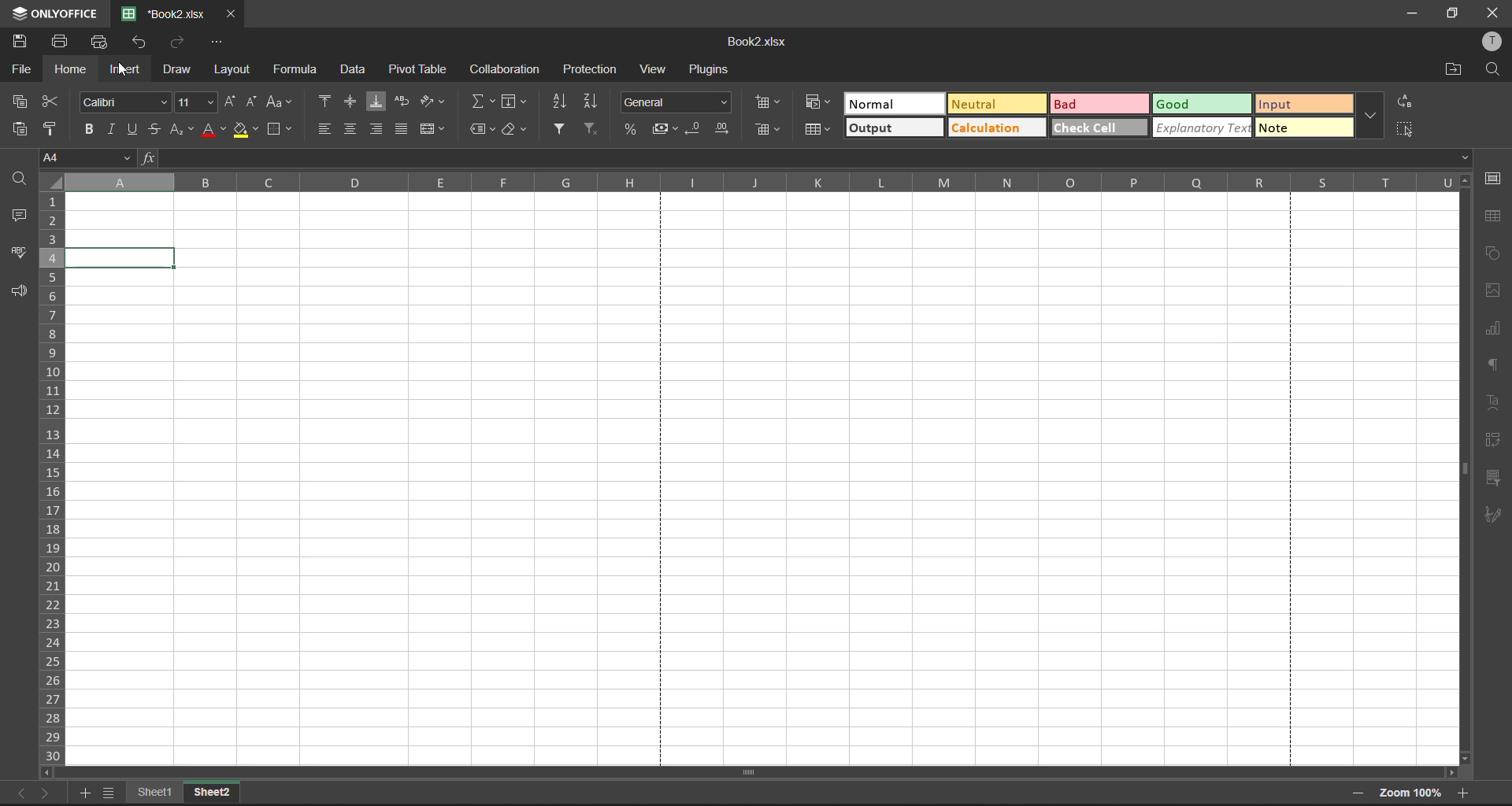 This screenshot has height=806, width=1512. Describe the element at coordinates (109, 128) in the screenshot. I see `italic` at that location.